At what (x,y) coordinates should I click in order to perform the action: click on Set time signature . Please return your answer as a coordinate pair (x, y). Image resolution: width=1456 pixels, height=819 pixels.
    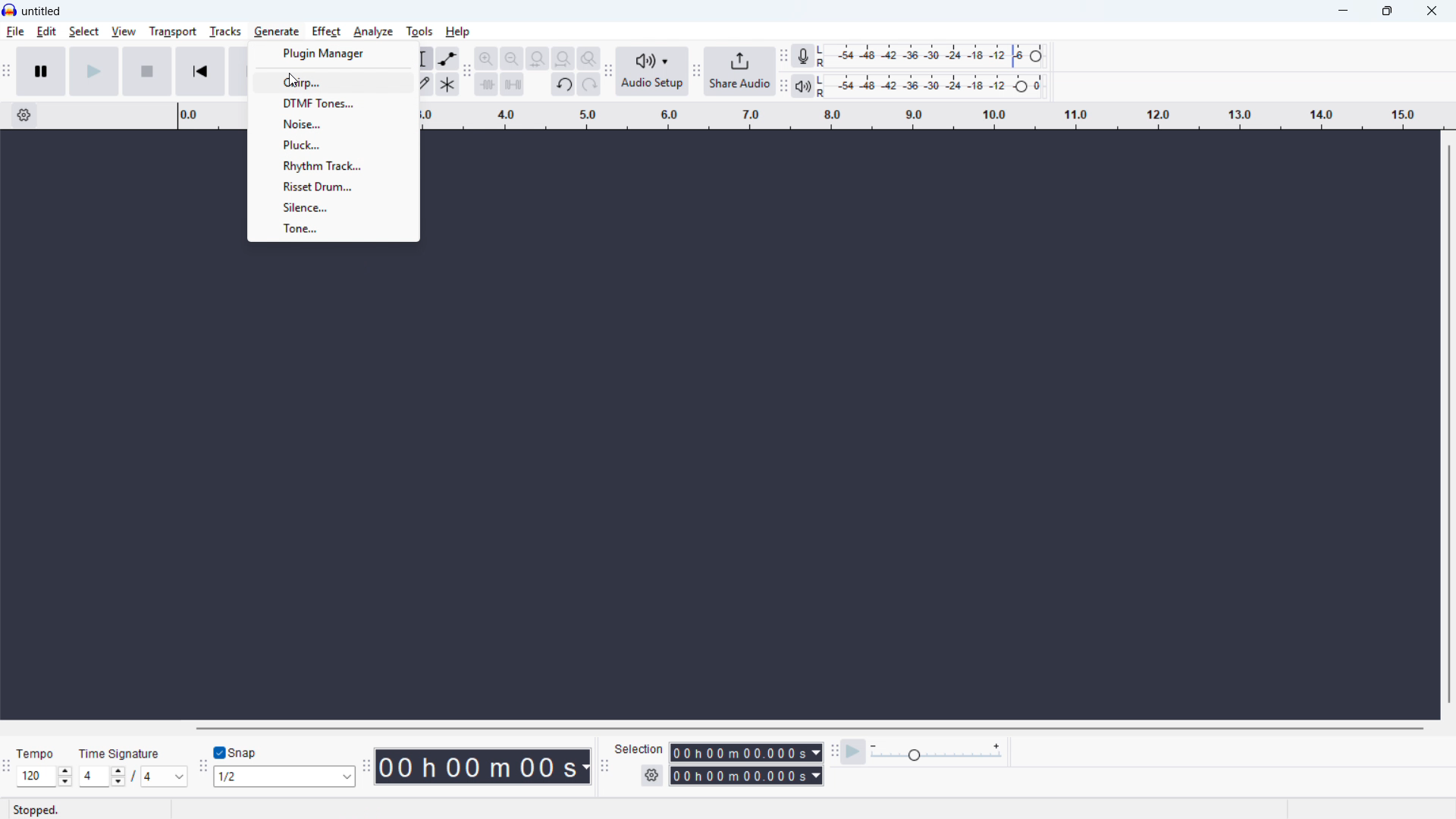
    Looking at the image, I should click on (136, 777).